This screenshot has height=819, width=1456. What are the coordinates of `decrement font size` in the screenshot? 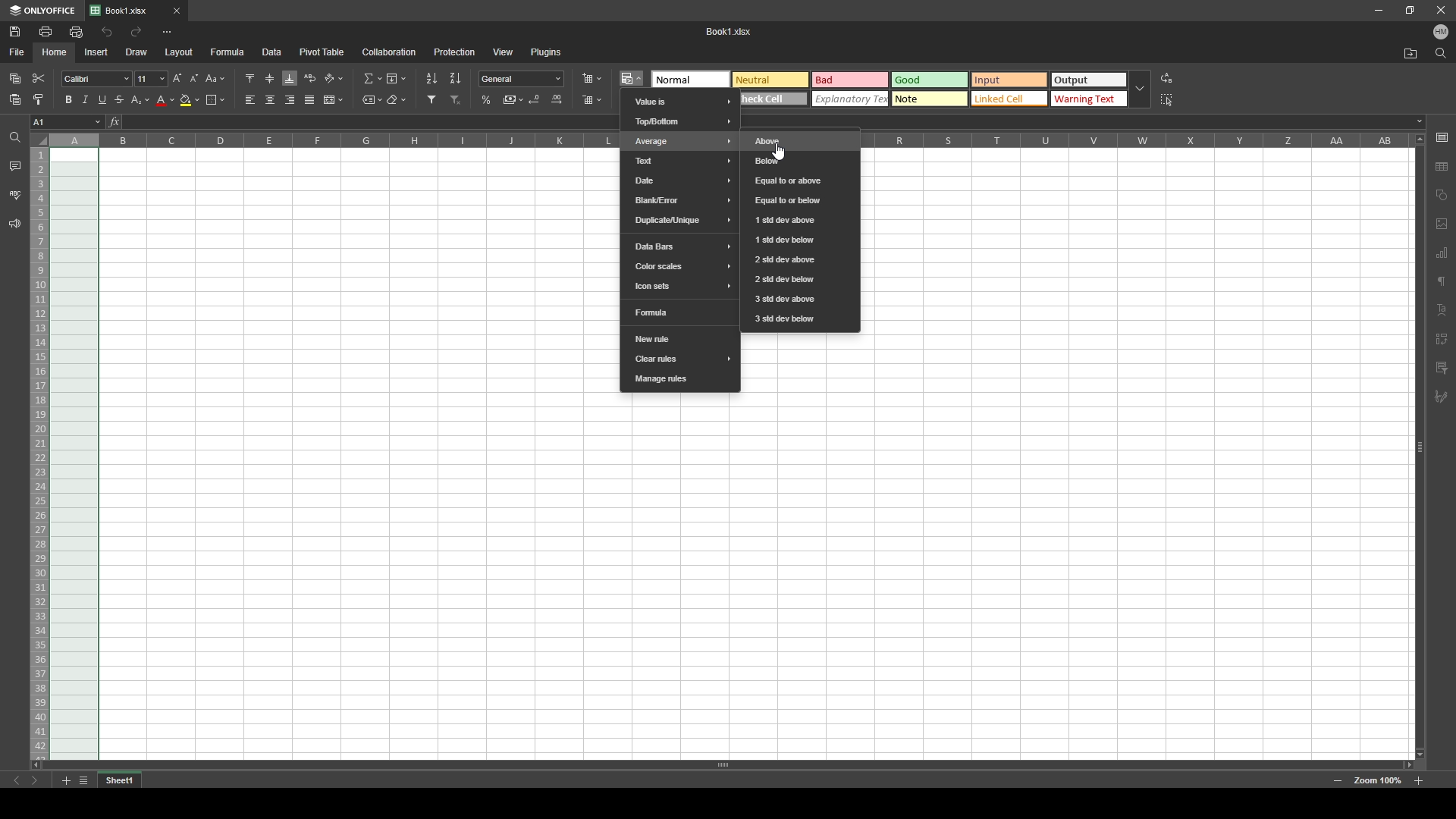 It's located at (194, 78).